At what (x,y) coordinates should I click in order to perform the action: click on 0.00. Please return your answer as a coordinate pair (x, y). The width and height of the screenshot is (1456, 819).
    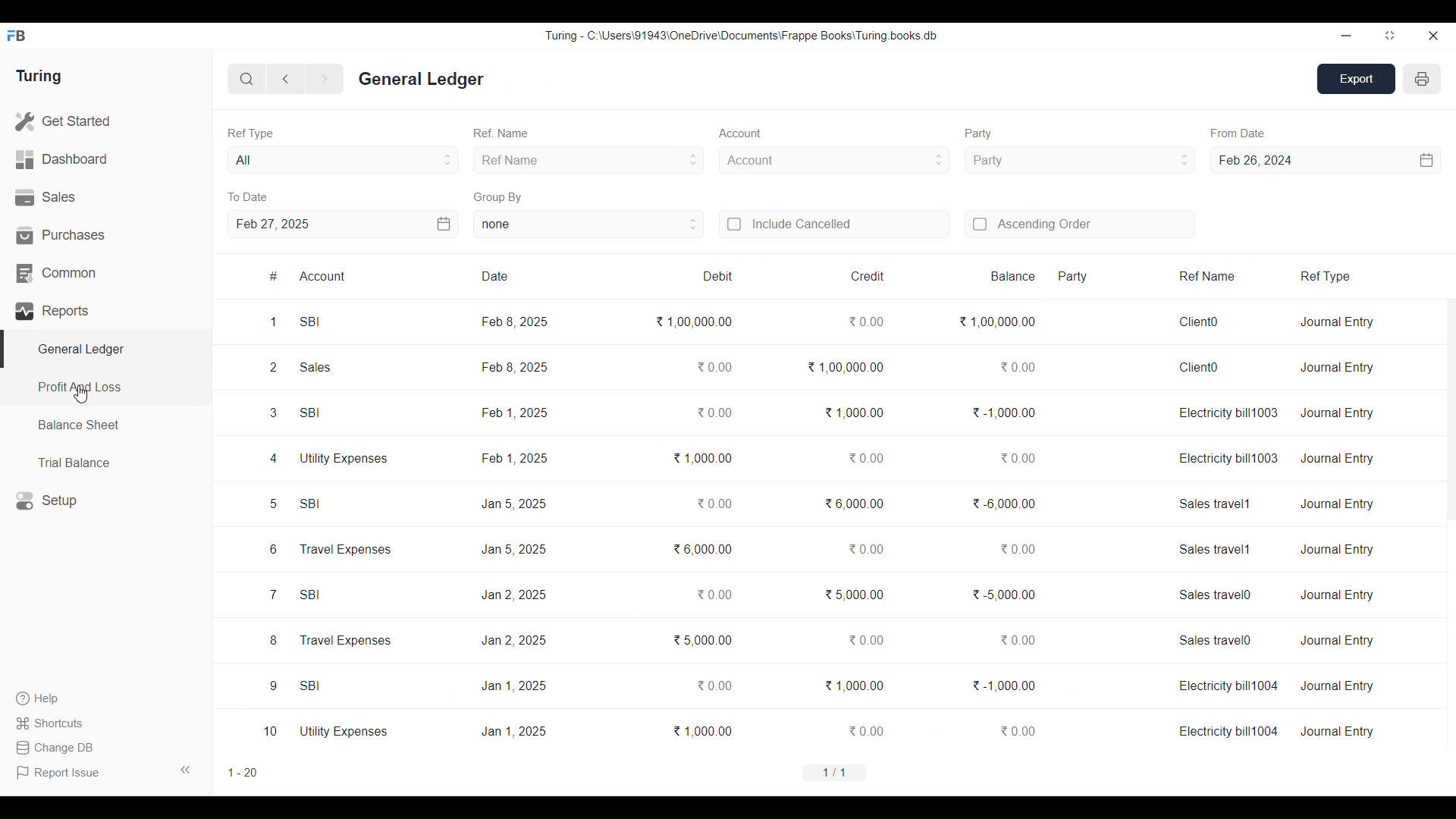
    Looking at the image, I should click on (1019, 458).